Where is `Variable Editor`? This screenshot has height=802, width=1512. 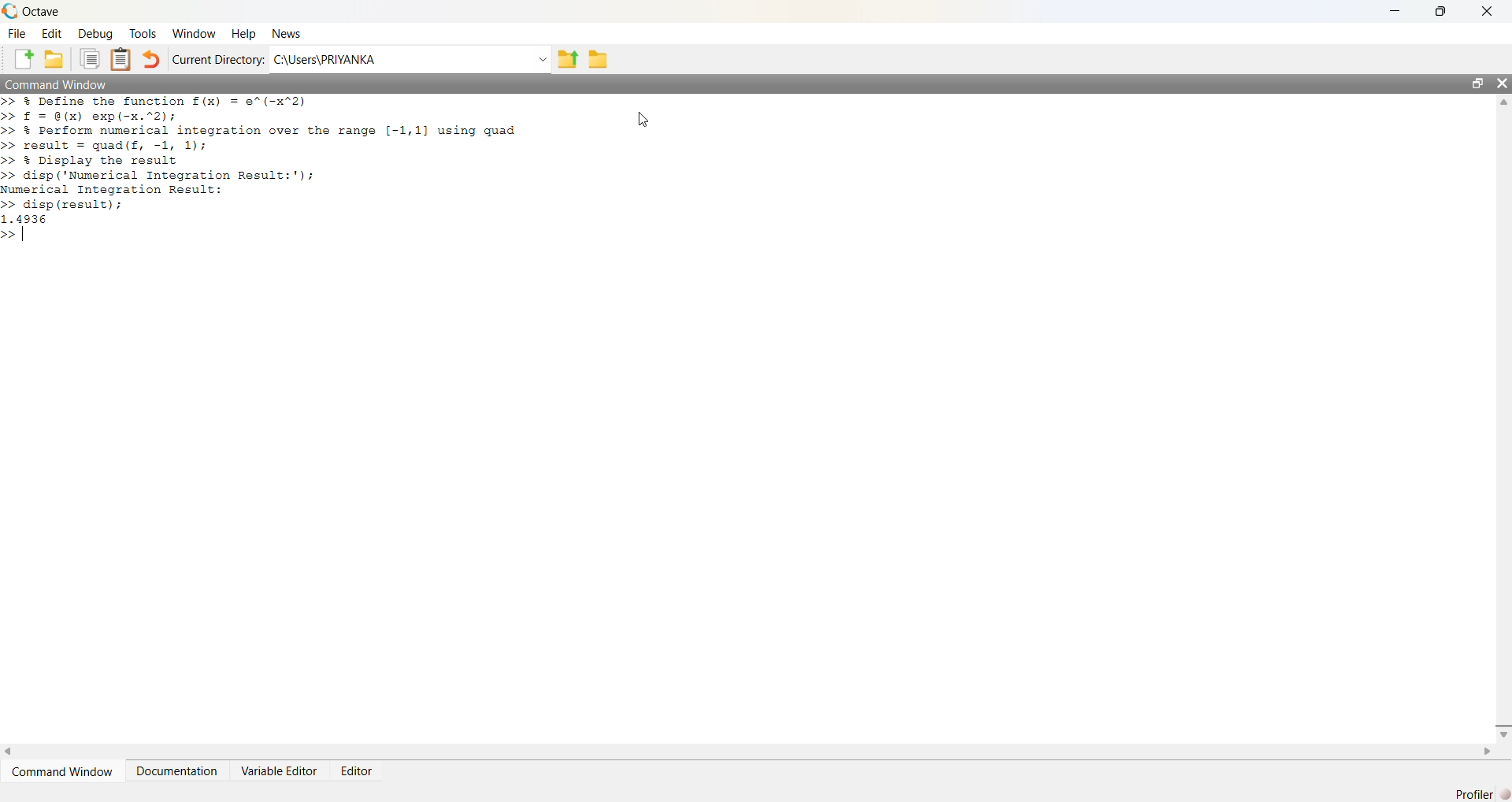
Variable Editor is located at coordinates (278, 770).